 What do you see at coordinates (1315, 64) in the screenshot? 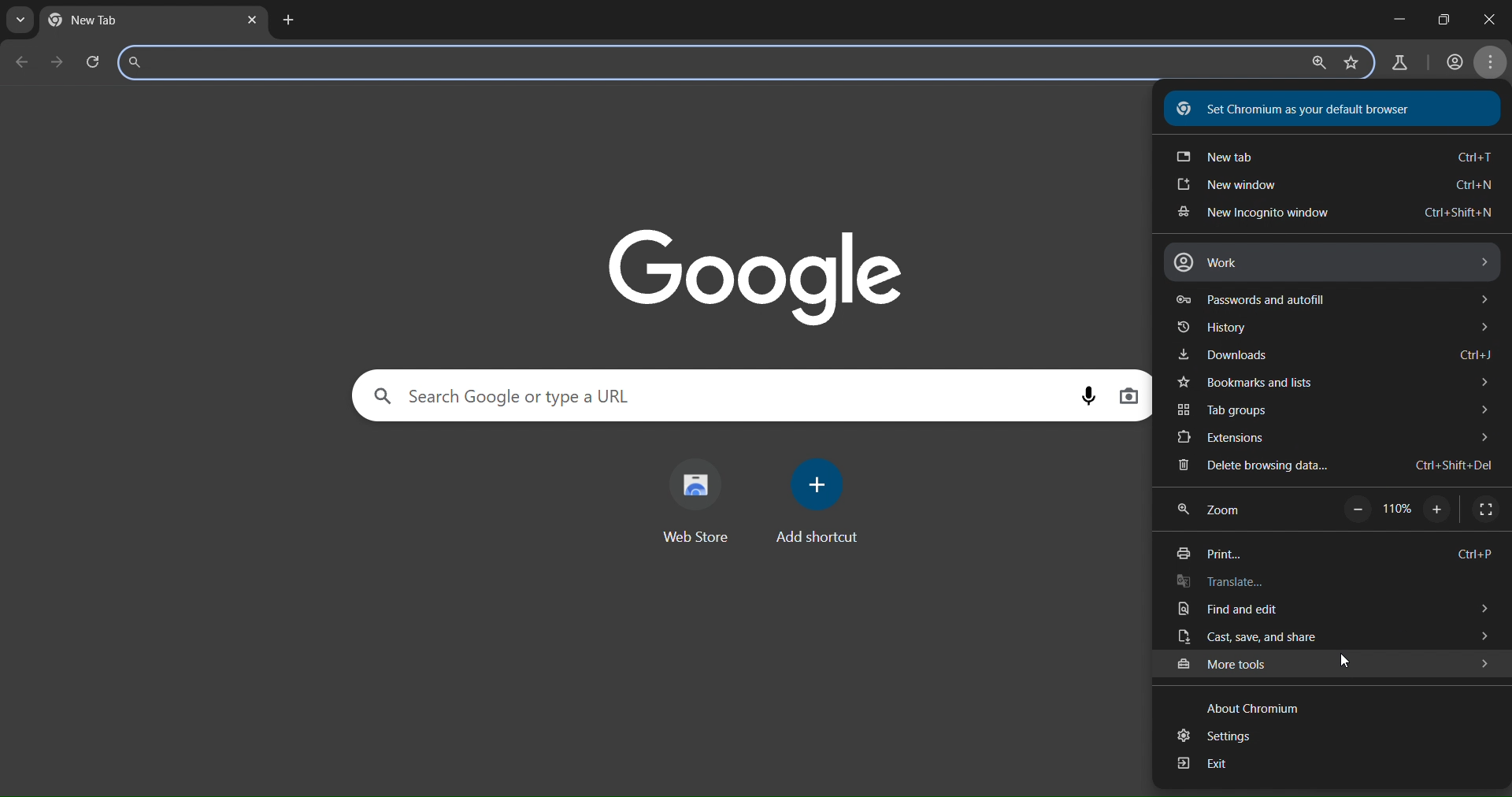
I see `zoom ` at bounding box center [1315, 64].